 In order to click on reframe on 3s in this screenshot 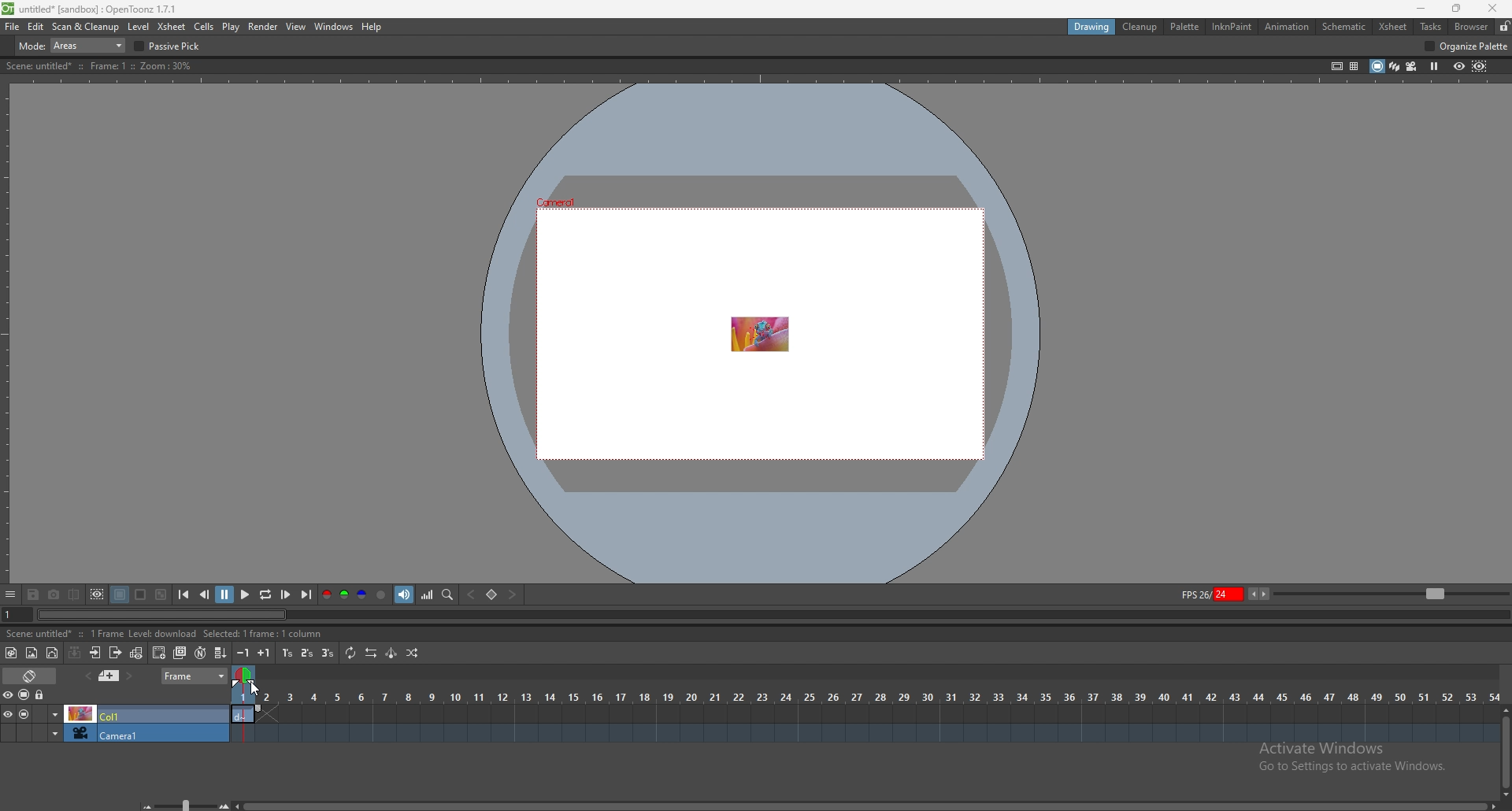, I will do `click(328, 653)`.